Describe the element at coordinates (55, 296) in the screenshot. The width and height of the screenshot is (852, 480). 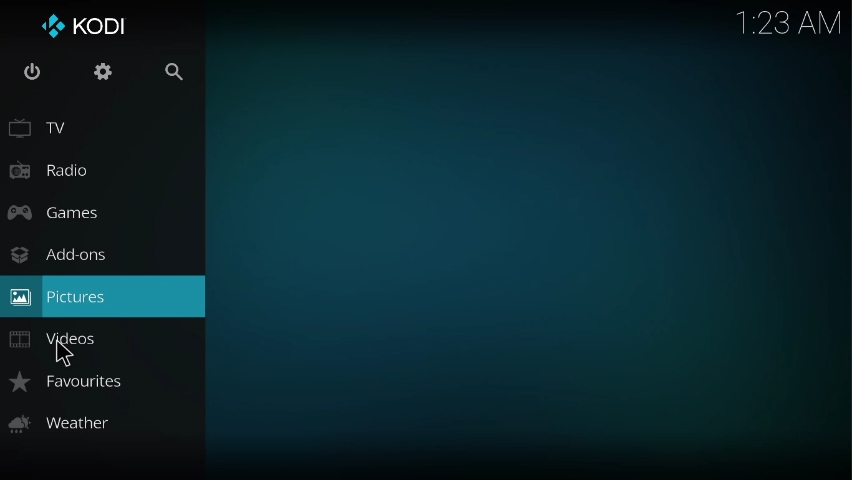
I see `pictures` at that location.